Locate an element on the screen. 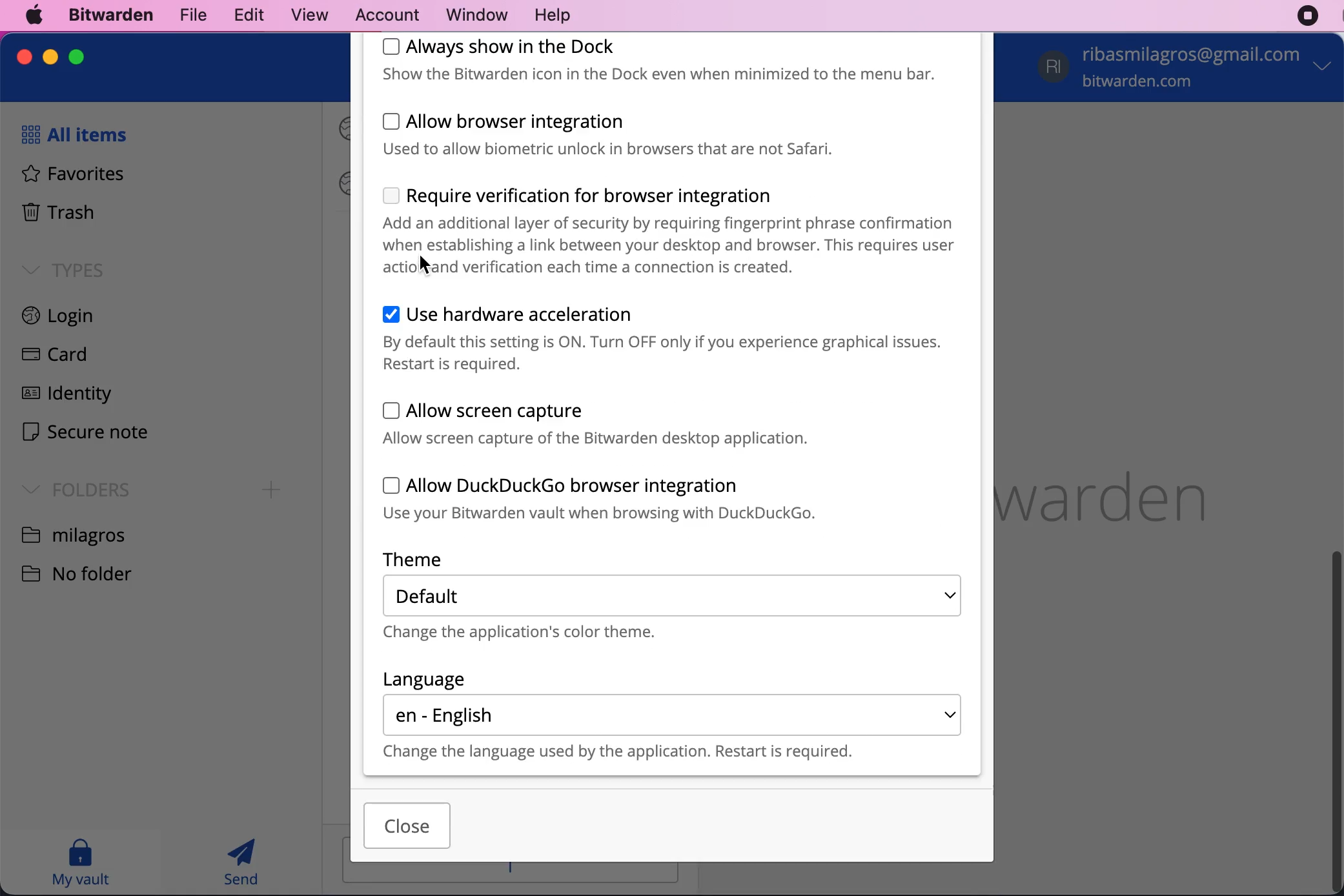 Image resolution: width=1344 pixels, height=896 pixels. send is located at coordinates (243, 862).